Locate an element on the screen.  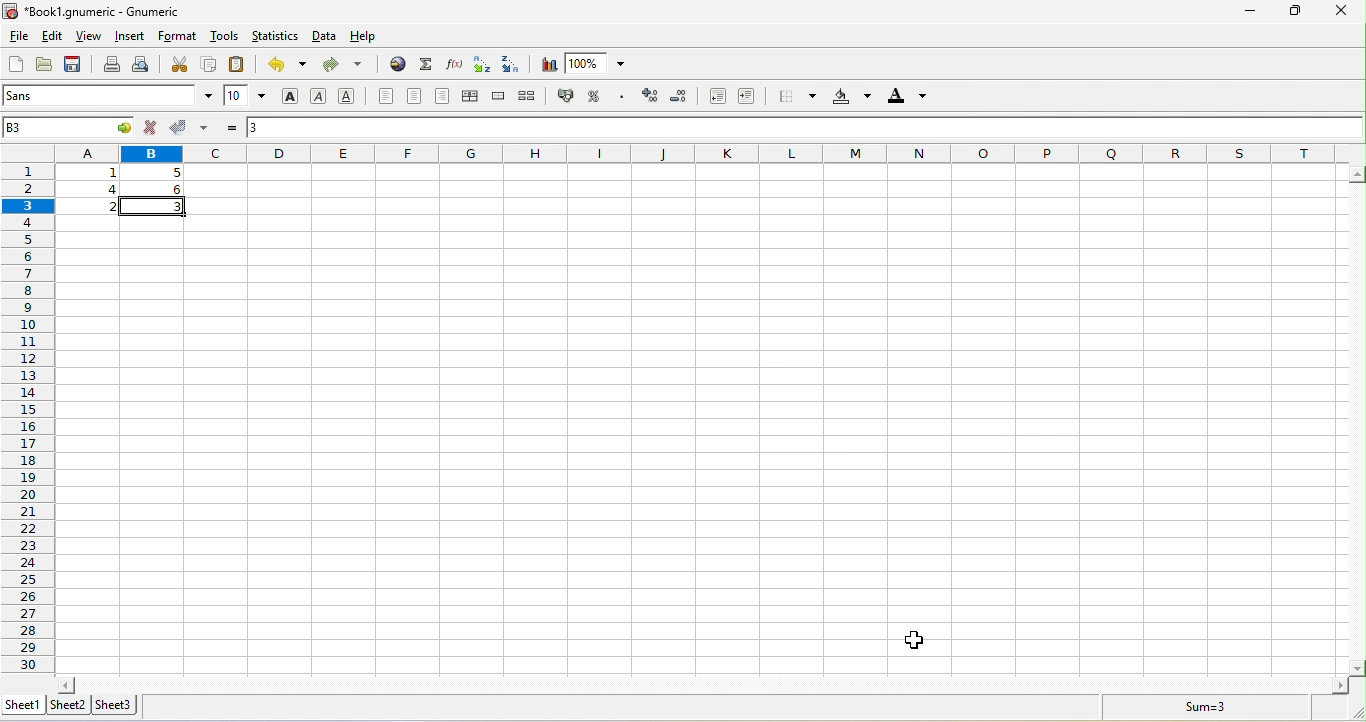
bold is located at coordinates (291, 96).